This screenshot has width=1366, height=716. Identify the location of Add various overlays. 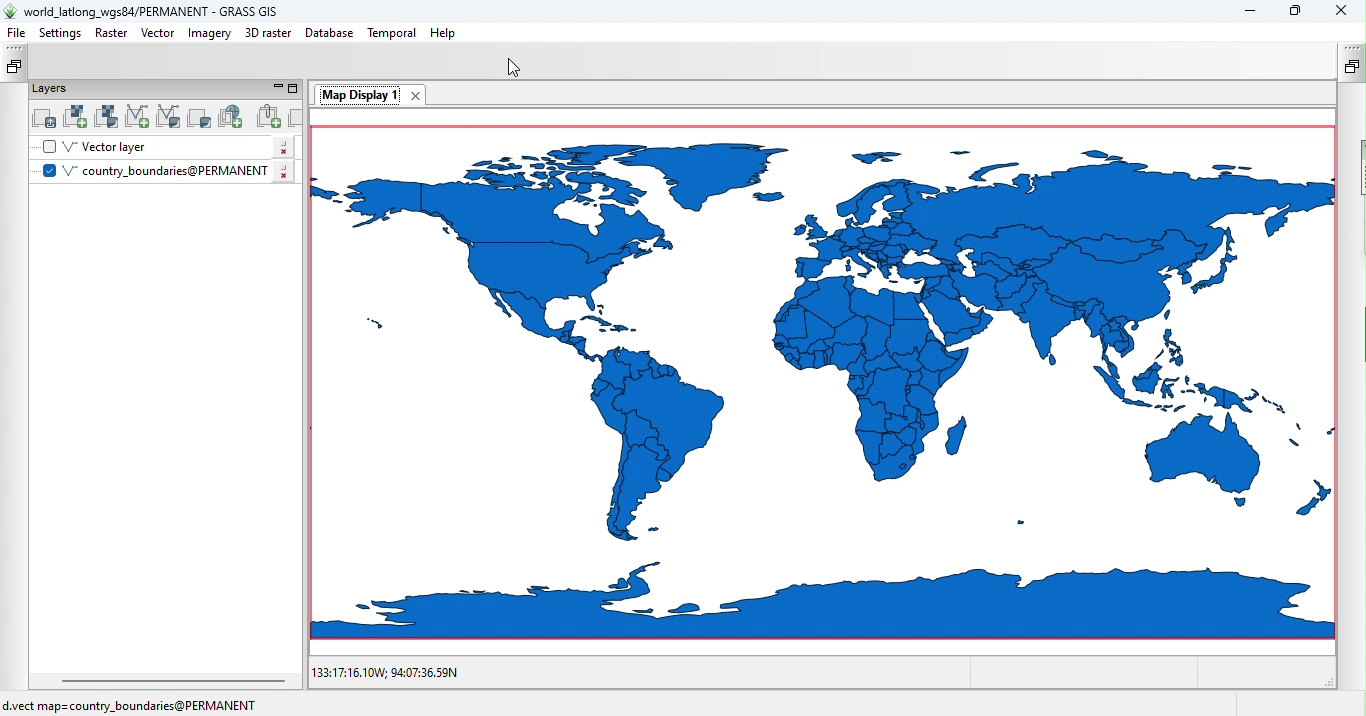
(201, 120).